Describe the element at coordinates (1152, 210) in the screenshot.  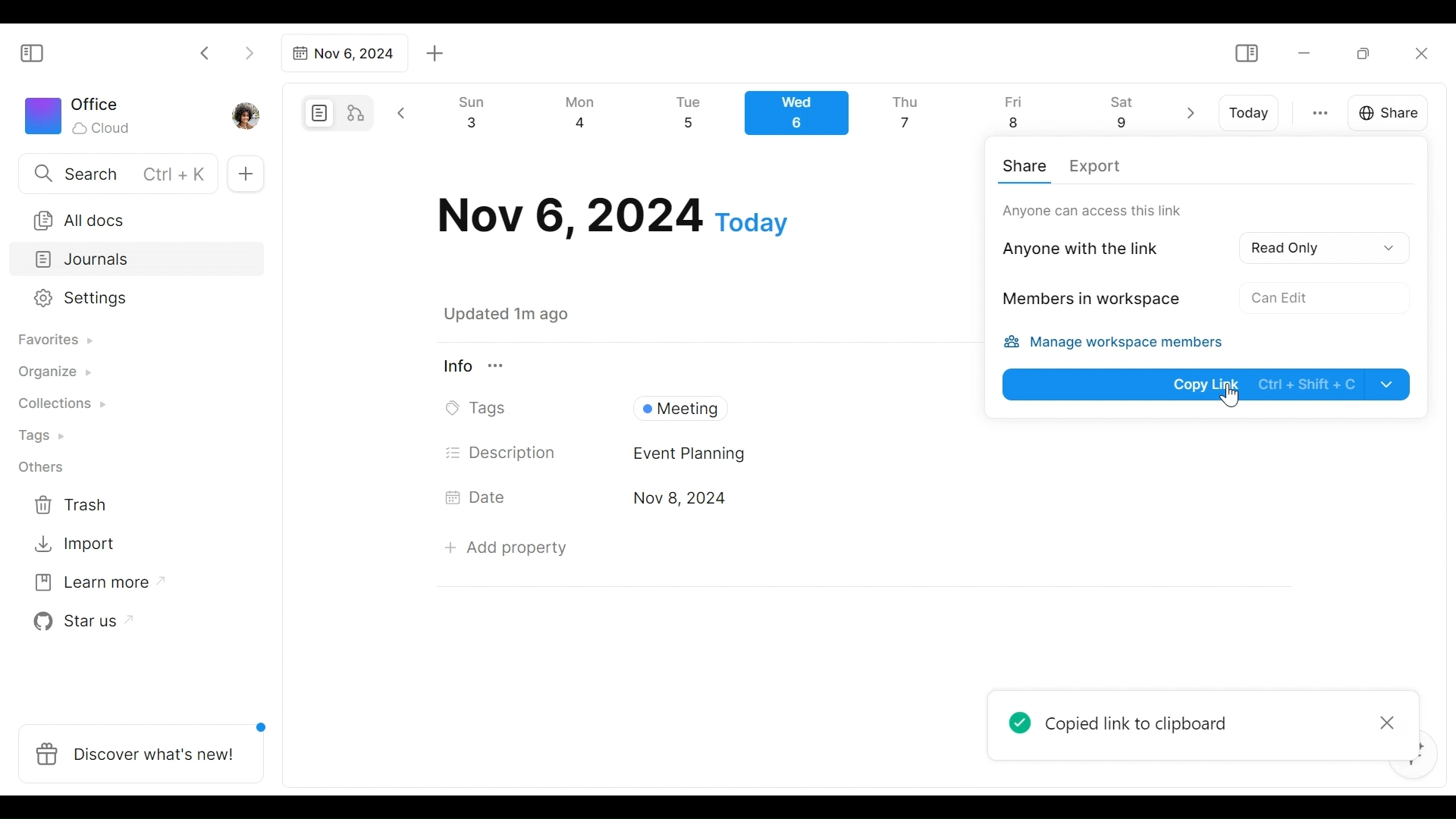
I see `Only workspace can access this link` at that location.